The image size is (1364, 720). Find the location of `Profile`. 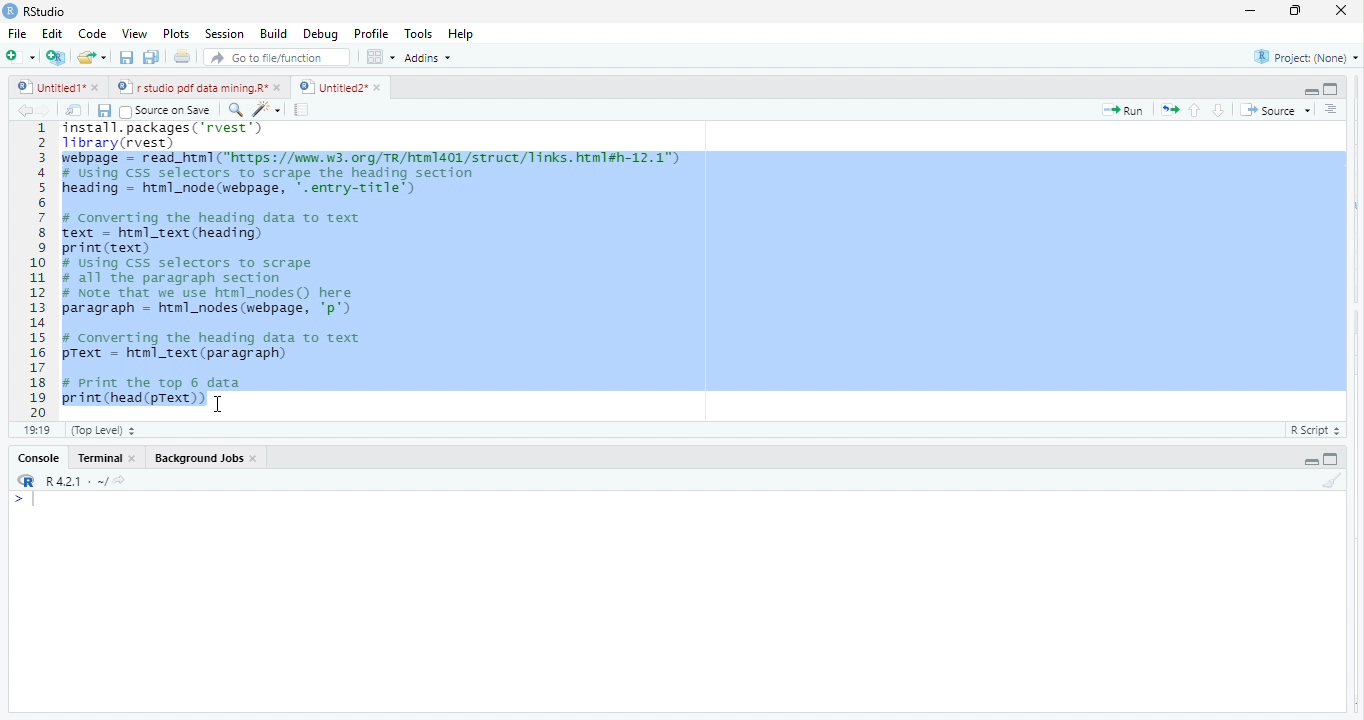

Profile is located at coordinates (375, 35).